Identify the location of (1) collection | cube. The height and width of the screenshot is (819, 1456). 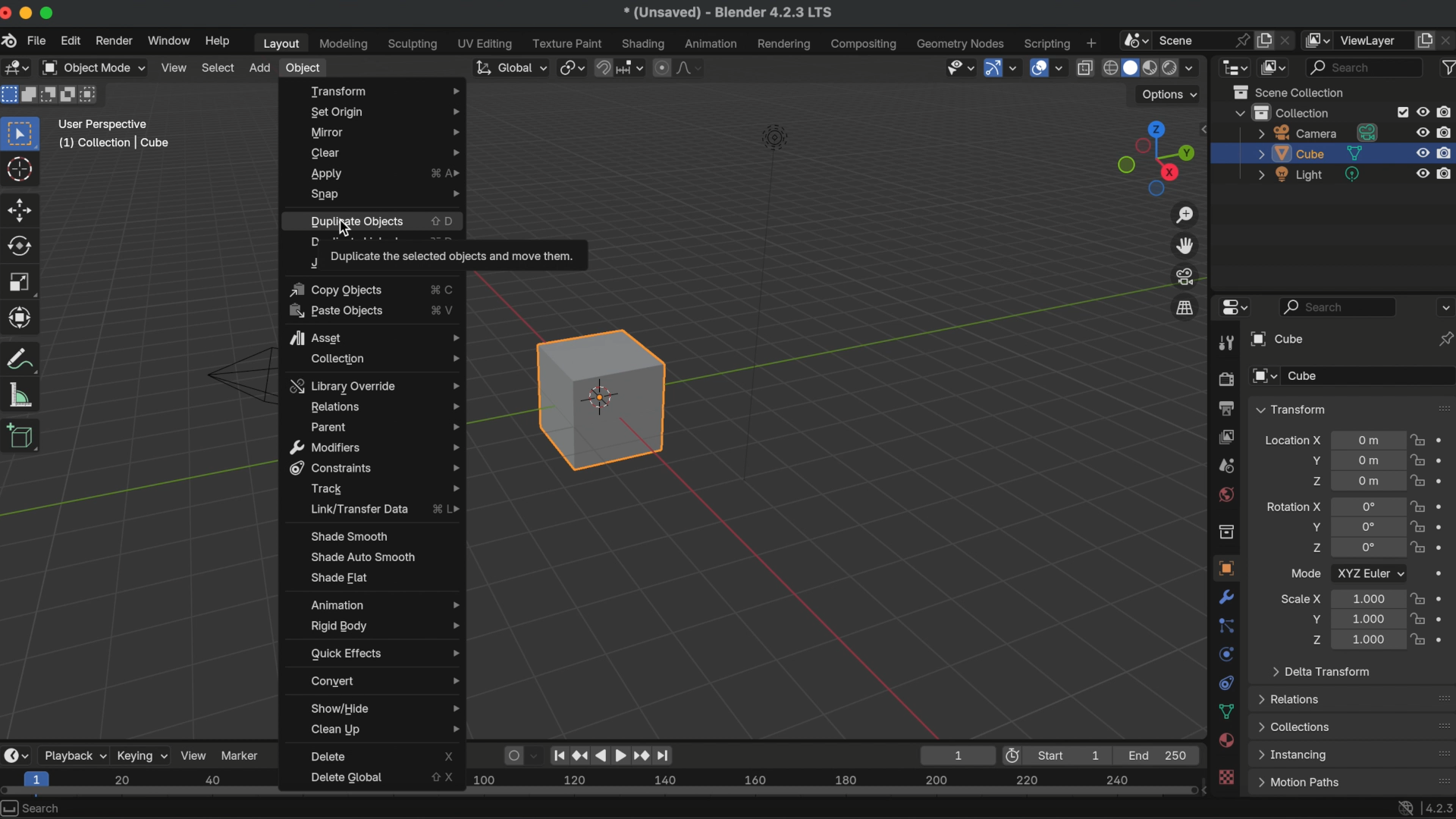
(114, 143).